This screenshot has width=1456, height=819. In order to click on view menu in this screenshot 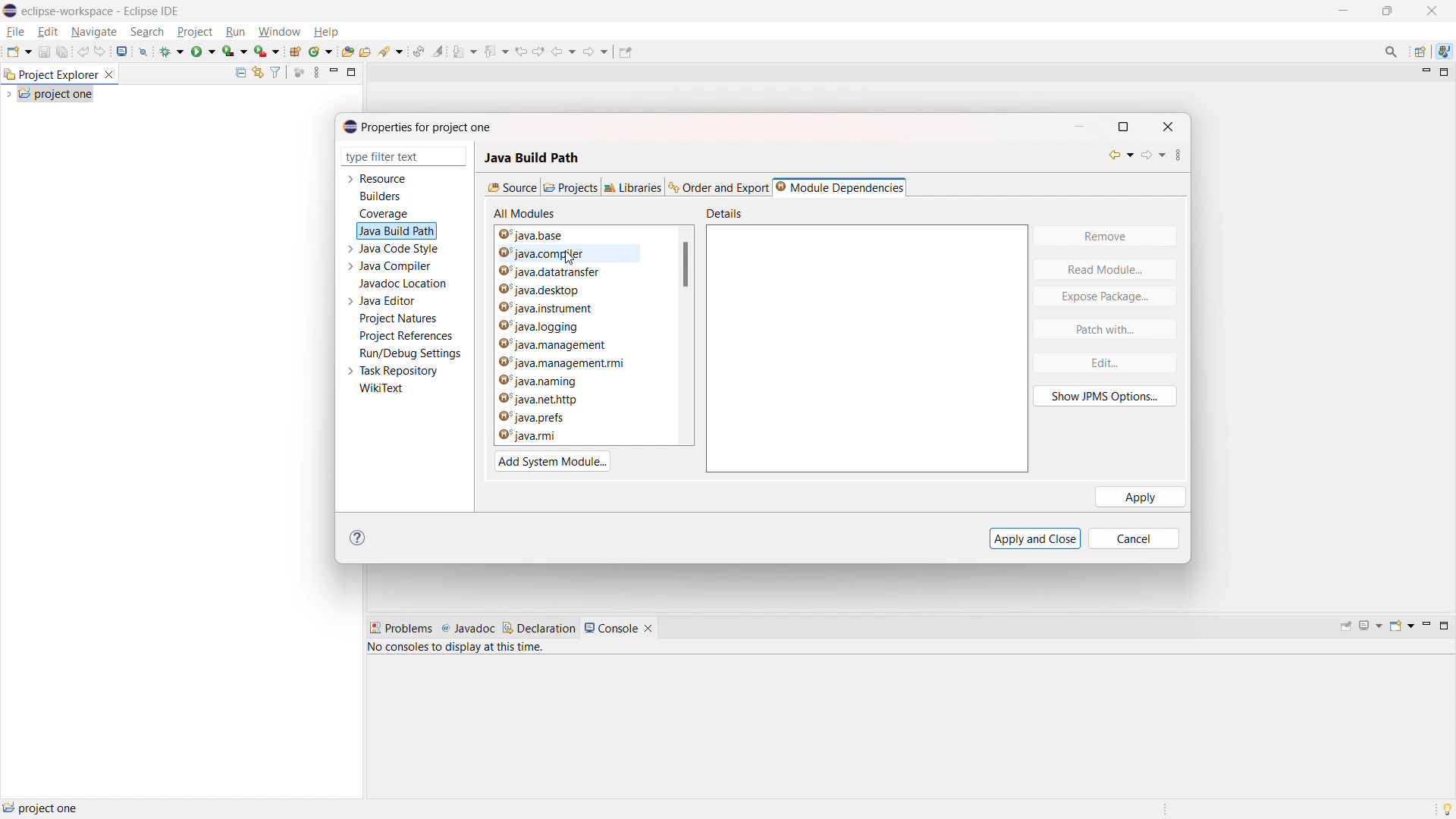, I will do `click(316, 72)`.